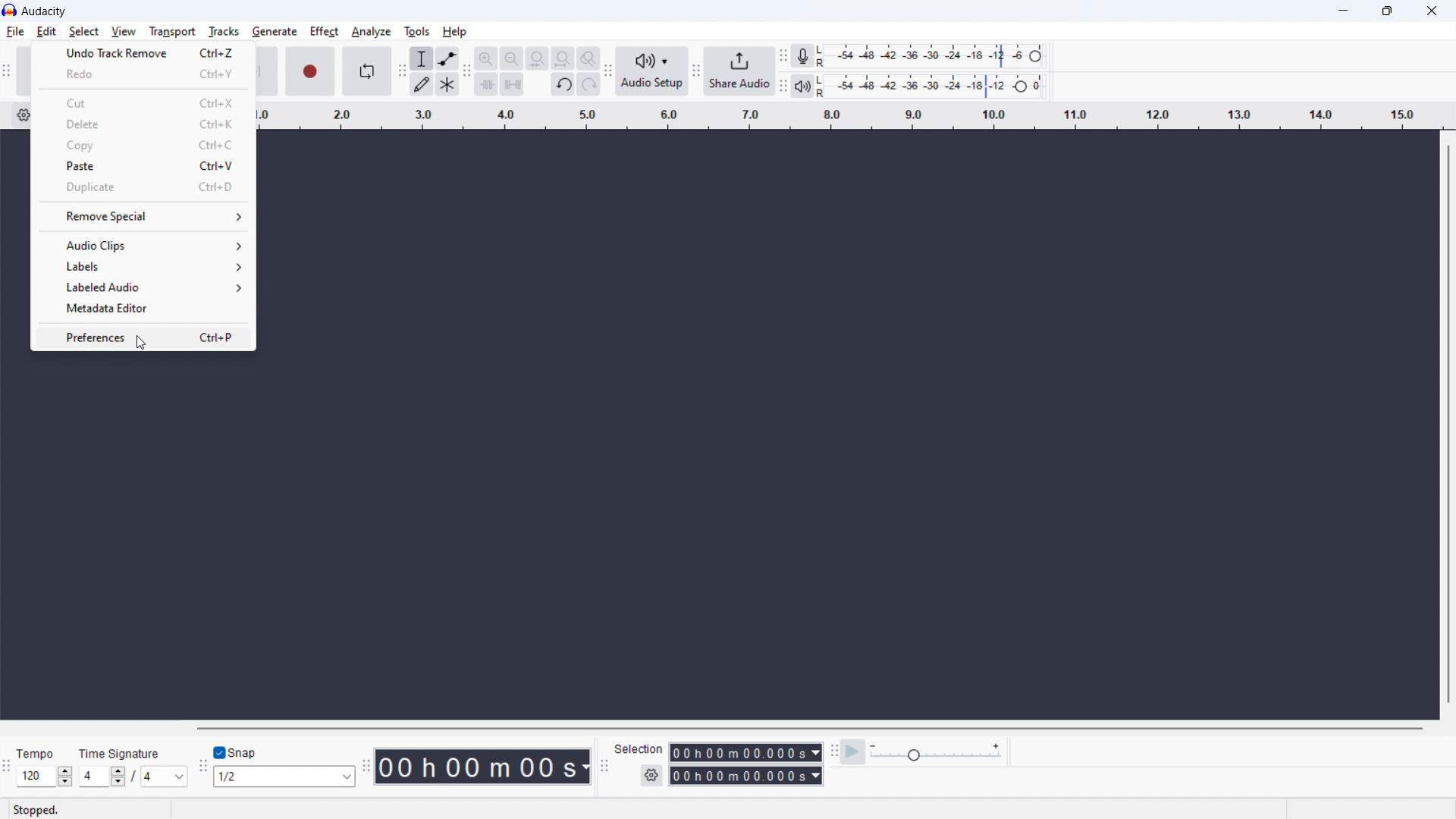 The height and width of the screenshot is (819, 1456). What do you see at coordinates (586, 767) in the screenshot?
I see `Duration measurement` at bounding box center [586, 767].